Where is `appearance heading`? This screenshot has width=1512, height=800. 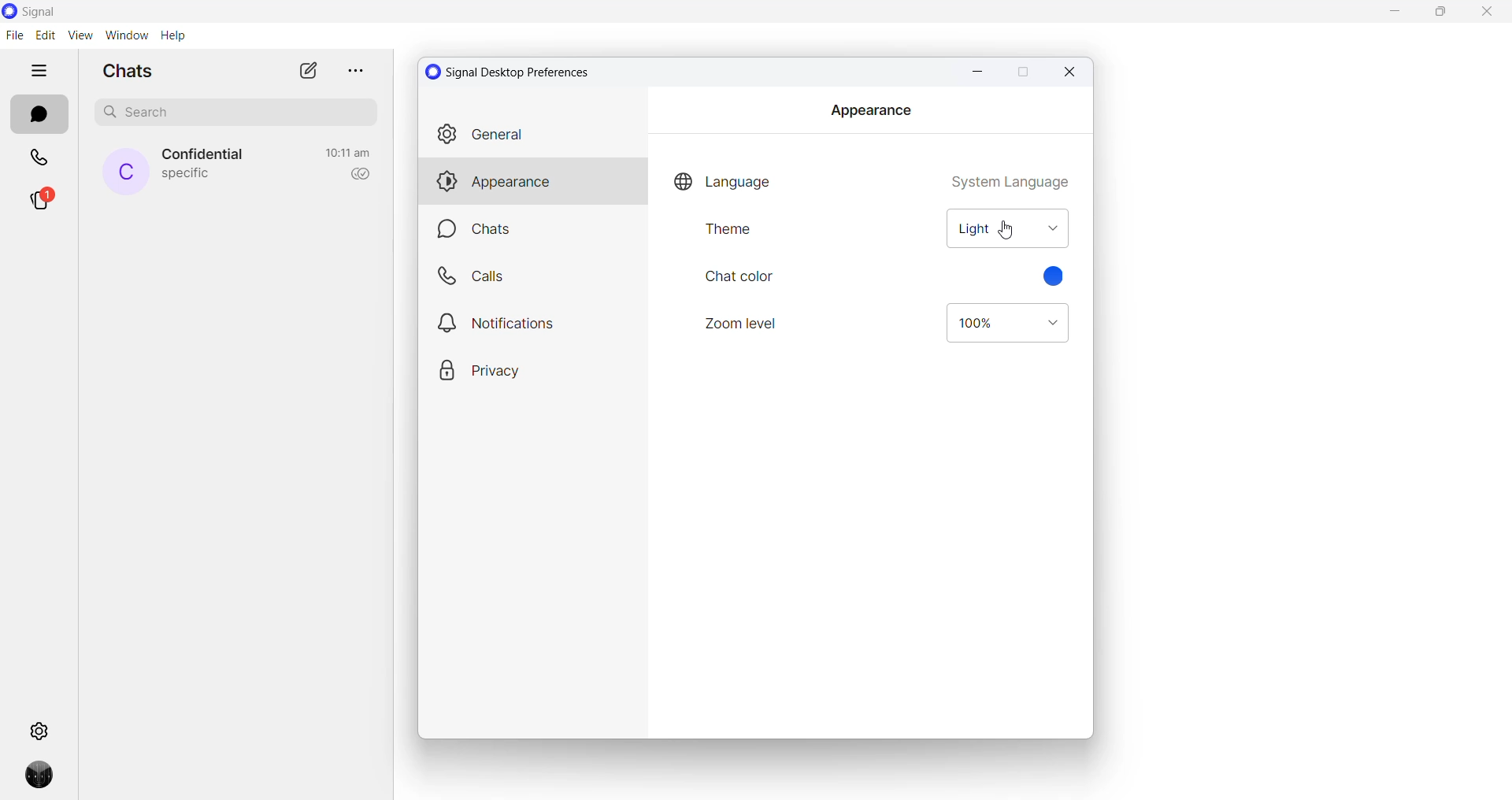
appearance heading is located at coordinates (870, 110).